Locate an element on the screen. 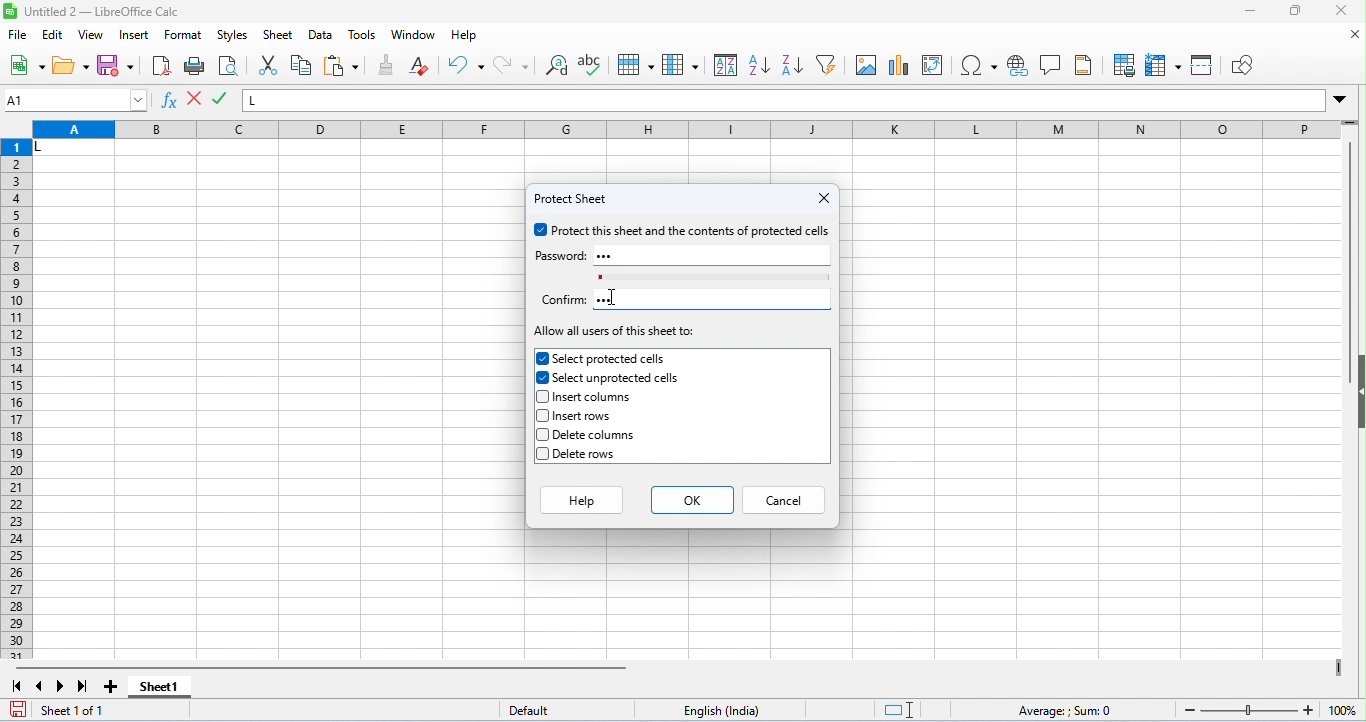 The width and height of the screenshot is (1366, 722). last sheet is located at coordinates (83, 686).